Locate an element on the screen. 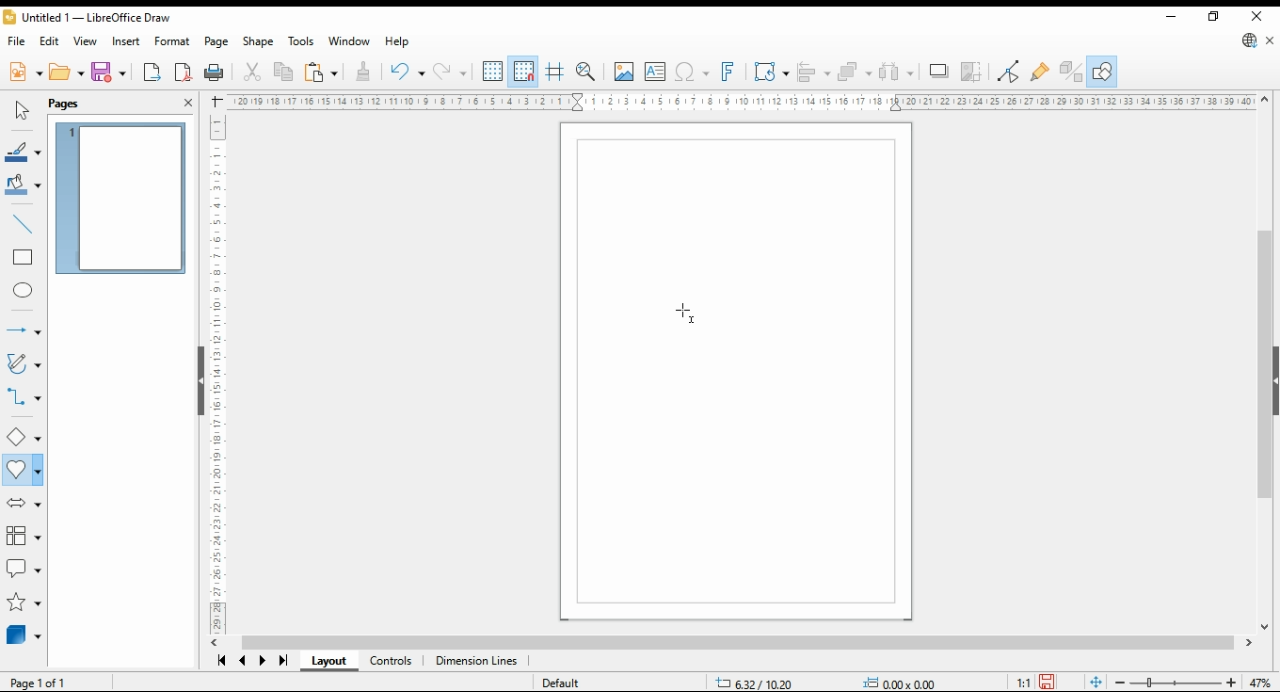 The height and width of the screenshot is (692, 1280). scroll bar is located at coordinates (735, 643).